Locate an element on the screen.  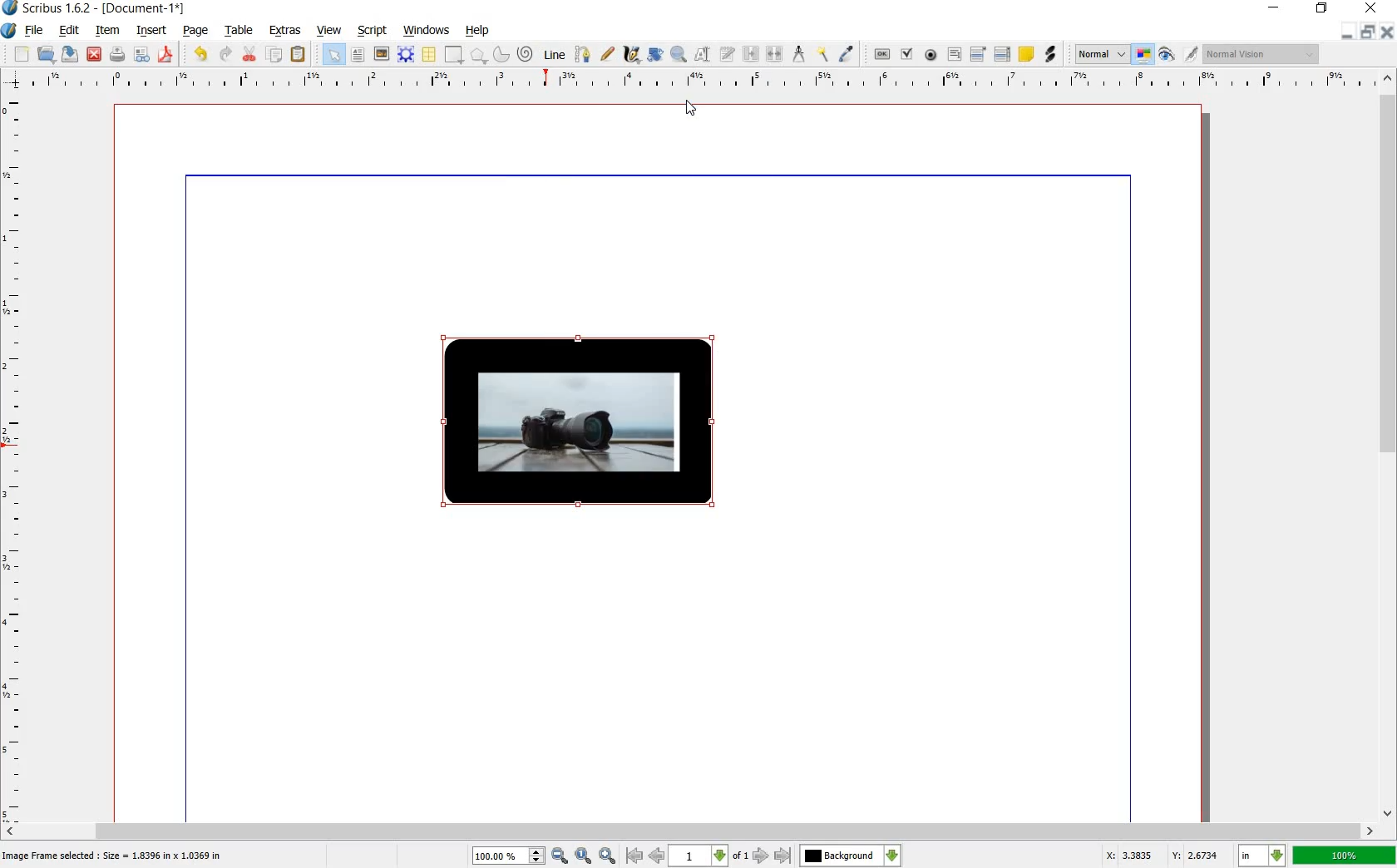
page is located at coordinates (195, 32).